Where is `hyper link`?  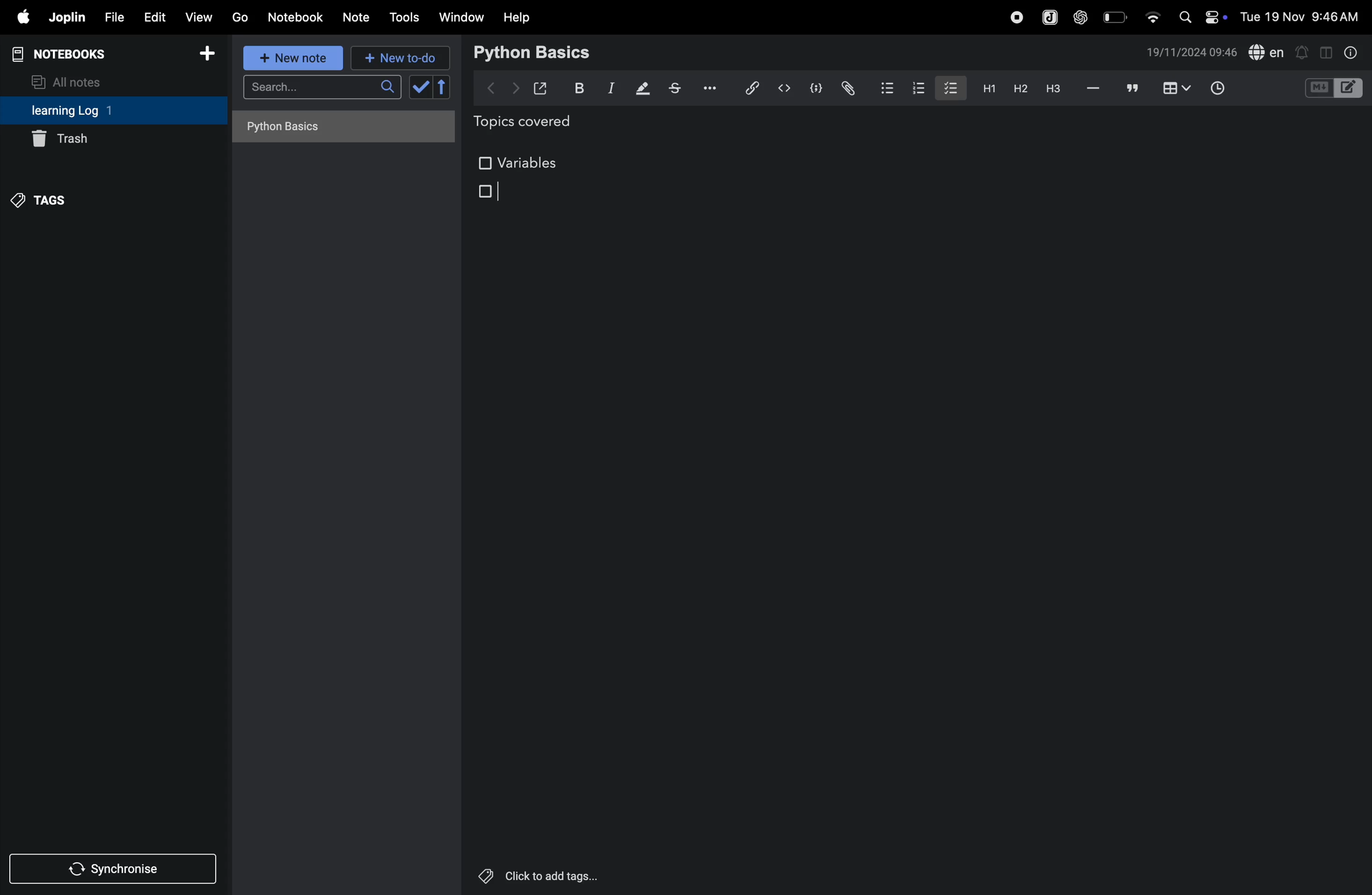 hyper link is located at coordinates (751, 88).